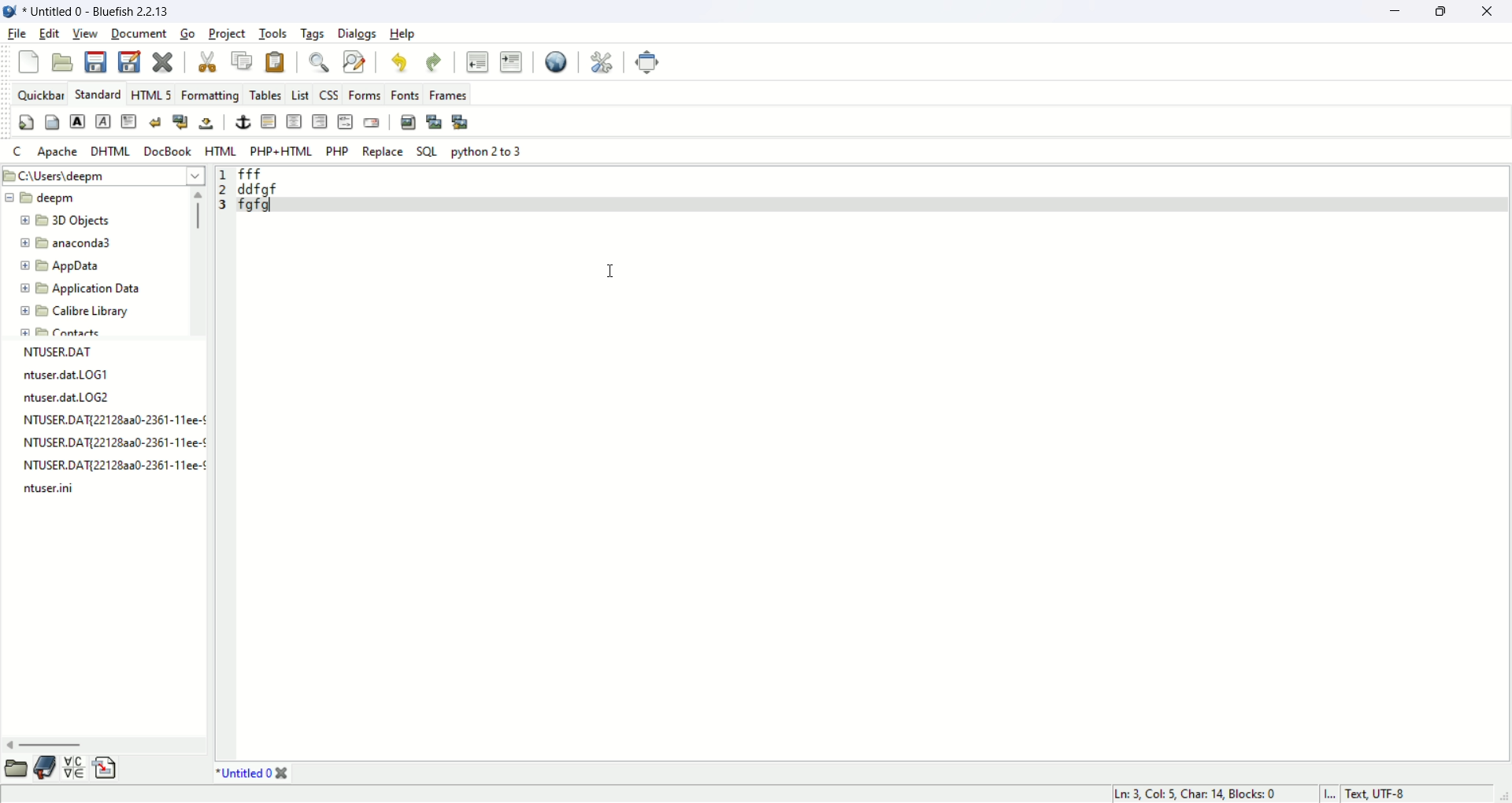 The height and width of the screenshot is (803, 1512). What do you see at coordinates (106, 770) in the screenshot?
I see `snippet` at bounding box center [106, 770].